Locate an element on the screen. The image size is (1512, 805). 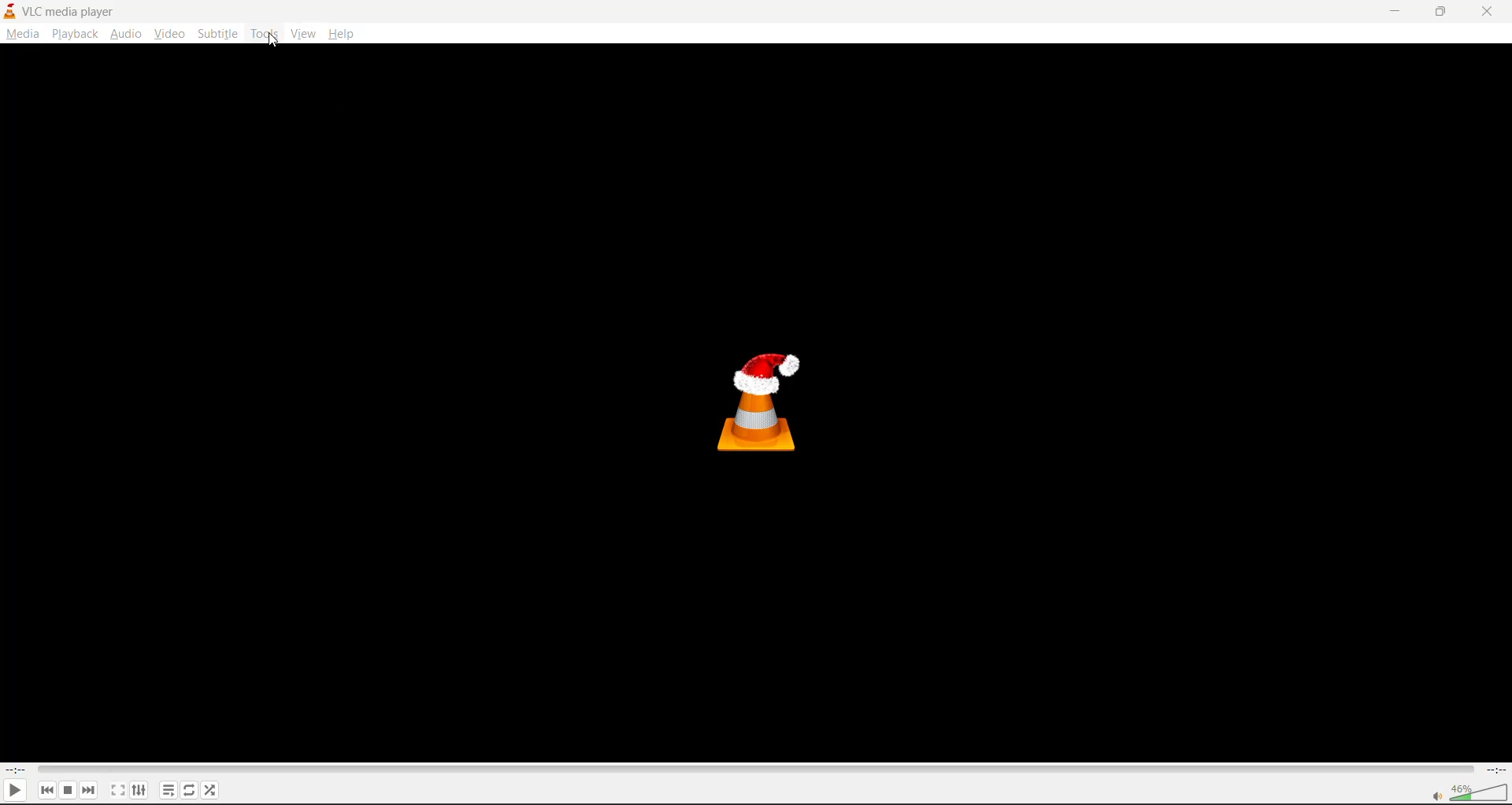
thumbnail is located at coordinates (765, 401).